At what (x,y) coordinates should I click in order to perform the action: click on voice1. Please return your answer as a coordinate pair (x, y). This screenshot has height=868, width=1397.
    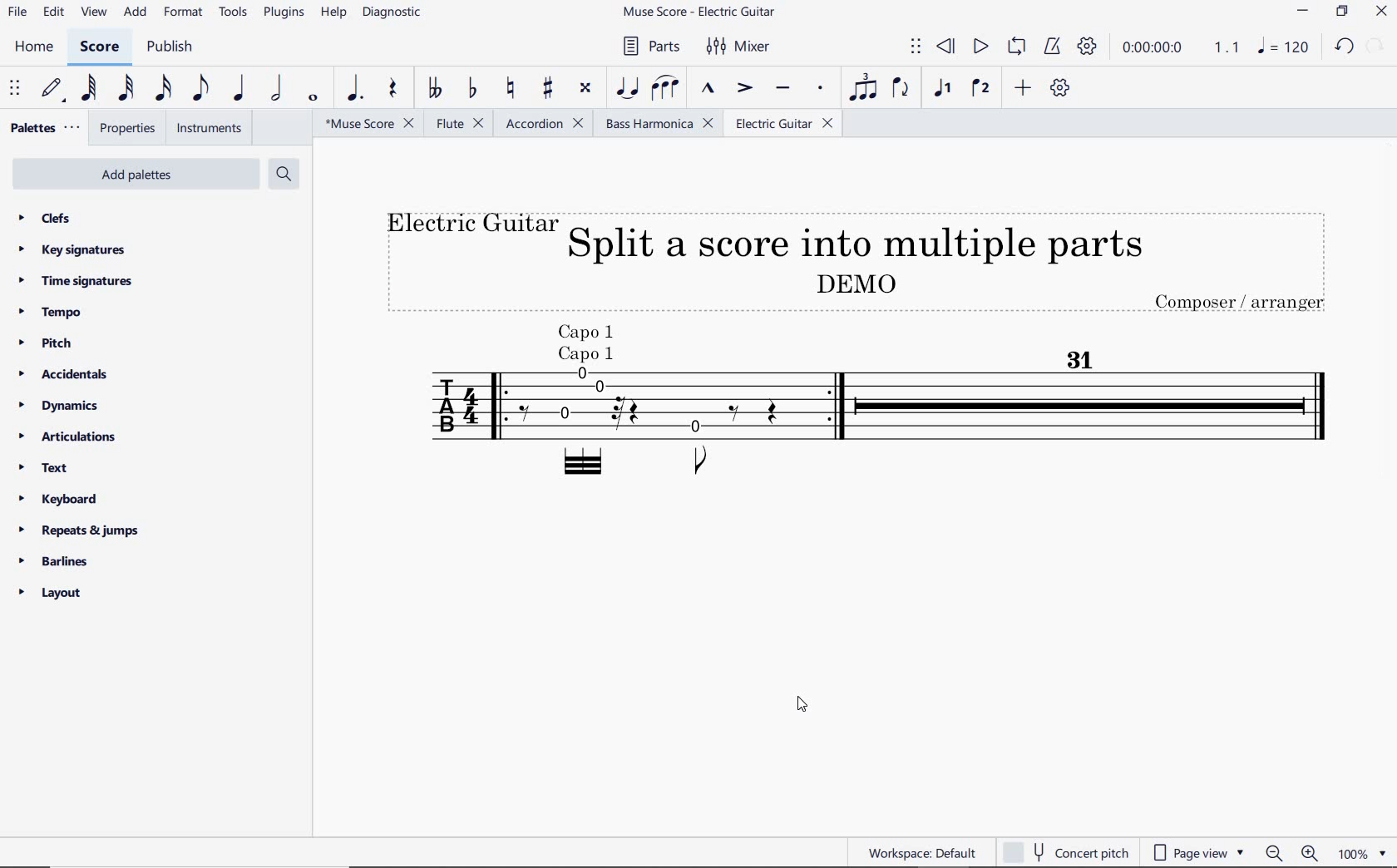
    Looking at the image, I should click on (943, 90).